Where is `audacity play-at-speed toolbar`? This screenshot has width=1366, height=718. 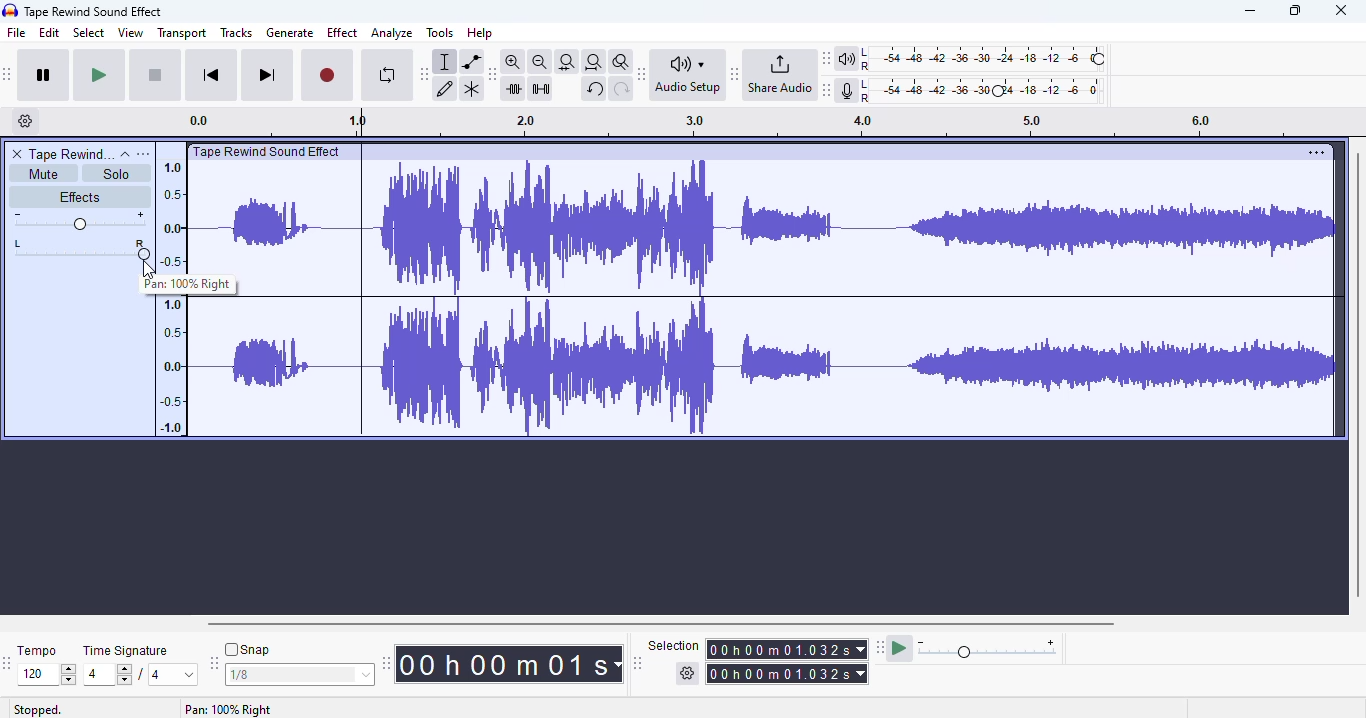
audacity play-at-speed toolbar is located at coordinates (968, 647).